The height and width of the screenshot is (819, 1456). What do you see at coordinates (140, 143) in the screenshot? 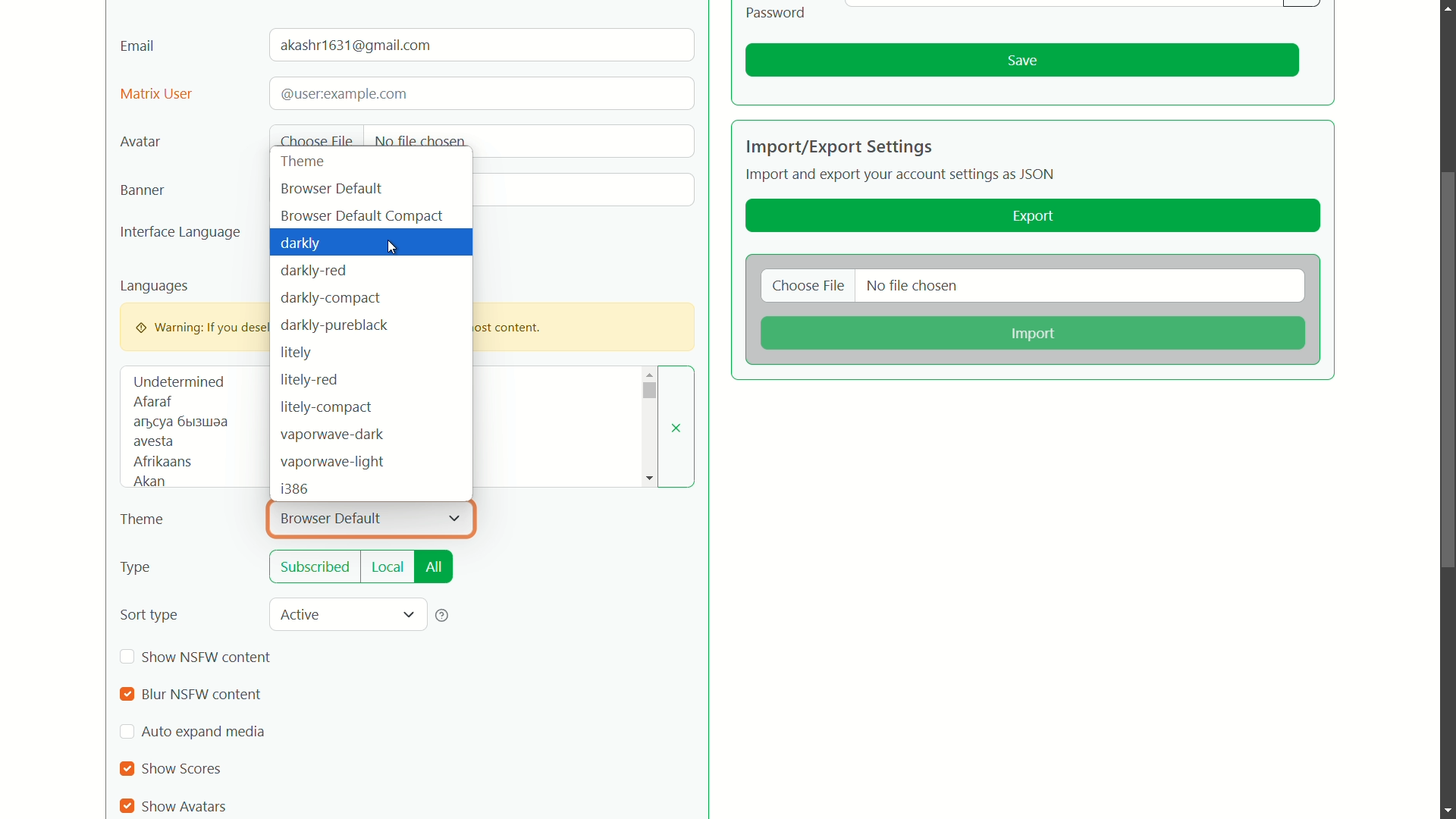
I see `avatar` at bounding box center [140, 143].